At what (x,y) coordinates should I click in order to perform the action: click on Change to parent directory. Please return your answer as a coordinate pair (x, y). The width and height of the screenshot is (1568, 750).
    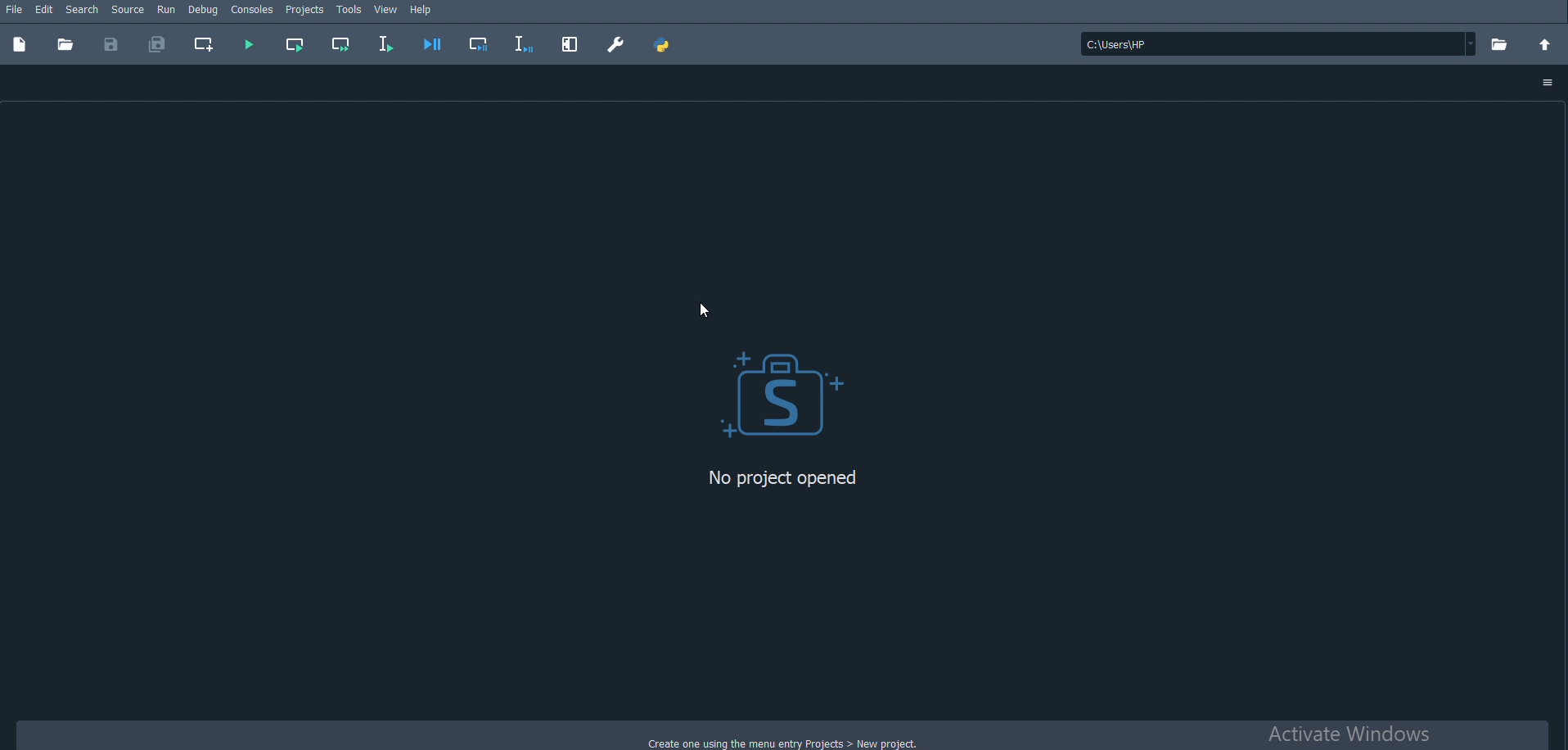
    Looking at the image, I should click on (1545, 44).